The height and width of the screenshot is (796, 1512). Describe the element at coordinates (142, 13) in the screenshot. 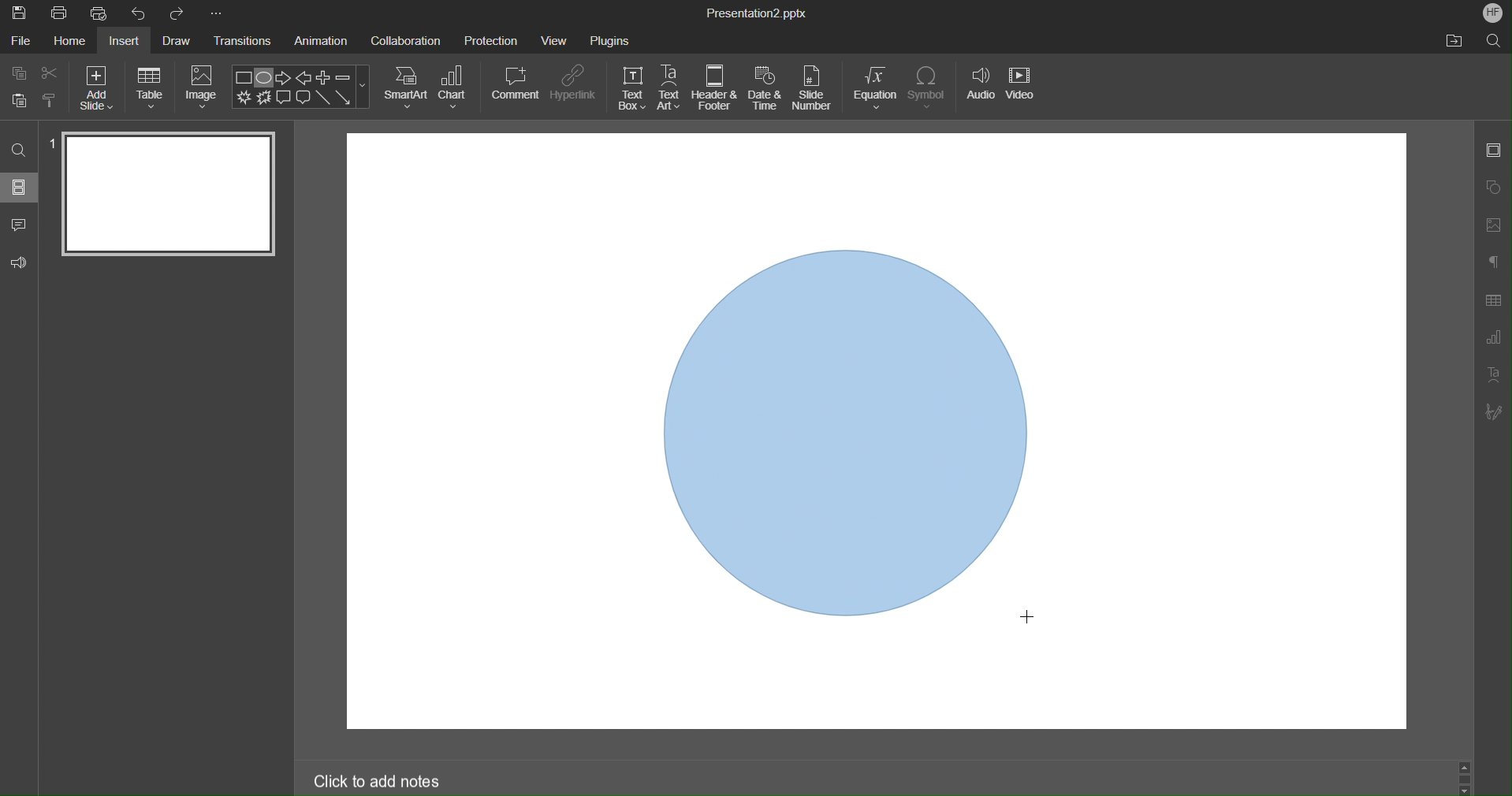

I see `Undo` at that location.